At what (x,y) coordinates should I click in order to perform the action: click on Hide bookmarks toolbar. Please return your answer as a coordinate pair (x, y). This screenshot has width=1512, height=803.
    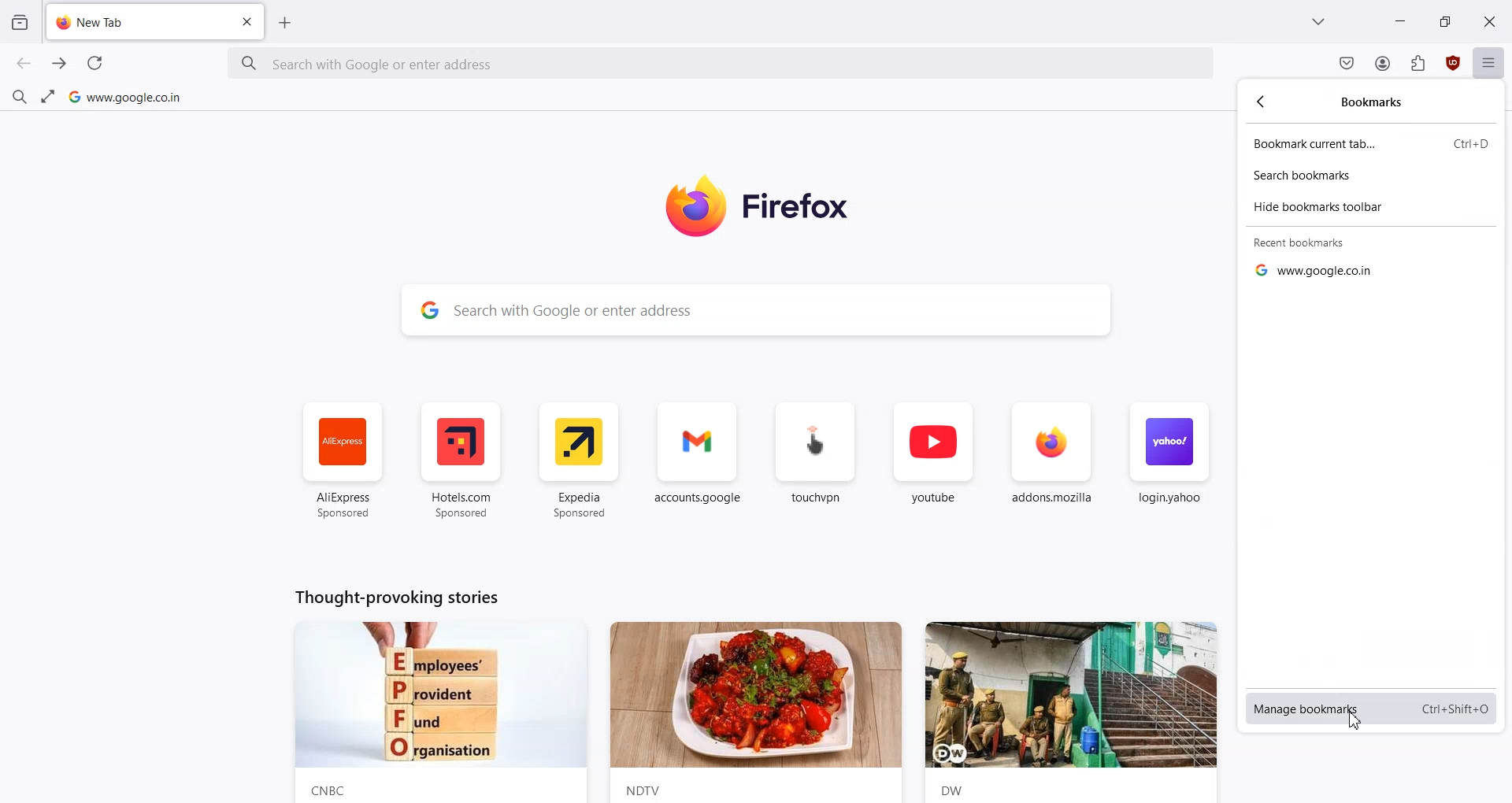
    Looking at the image, I should click on (1371, 207).